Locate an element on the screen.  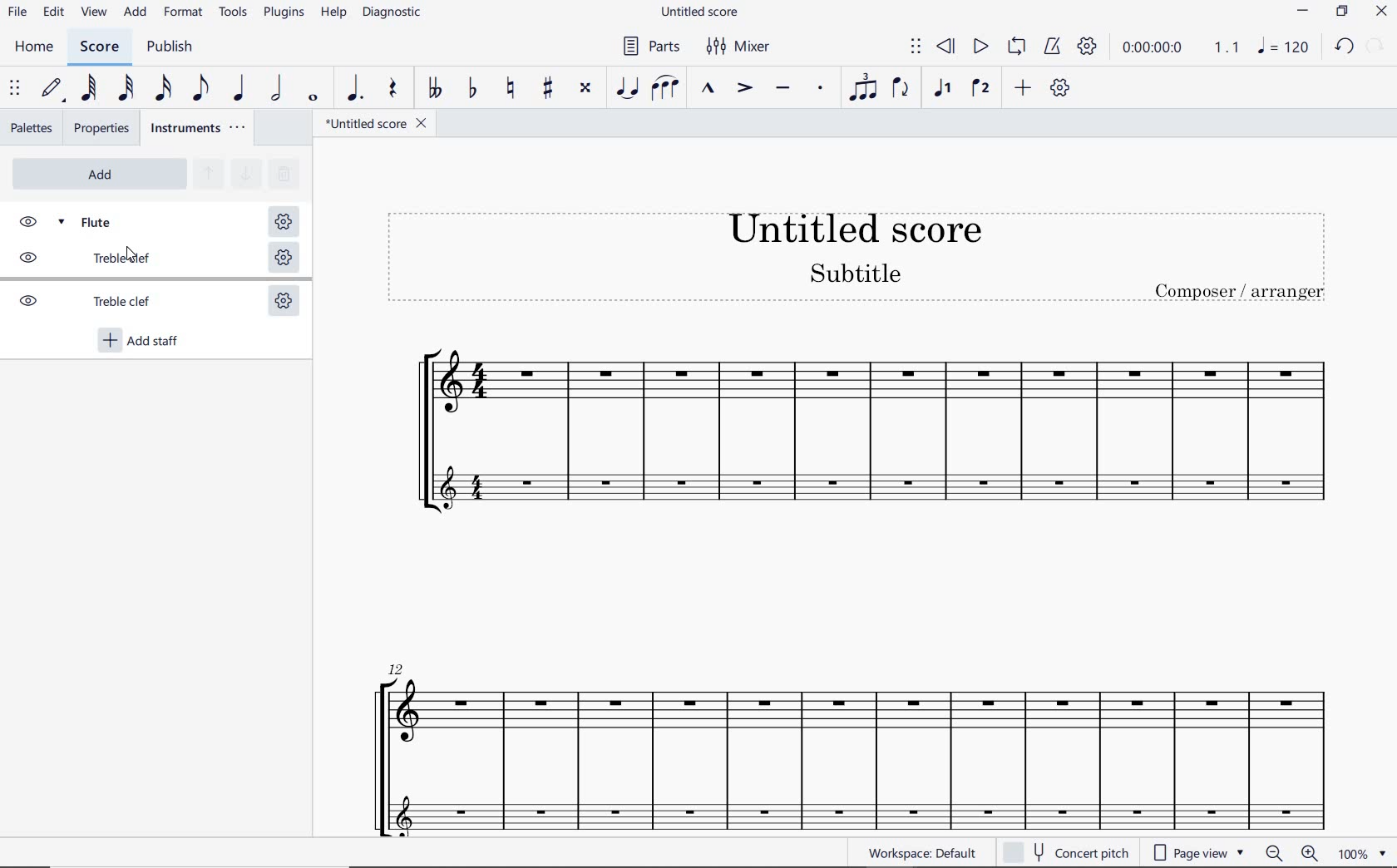
REWIND is located at coordinates (946, 47).